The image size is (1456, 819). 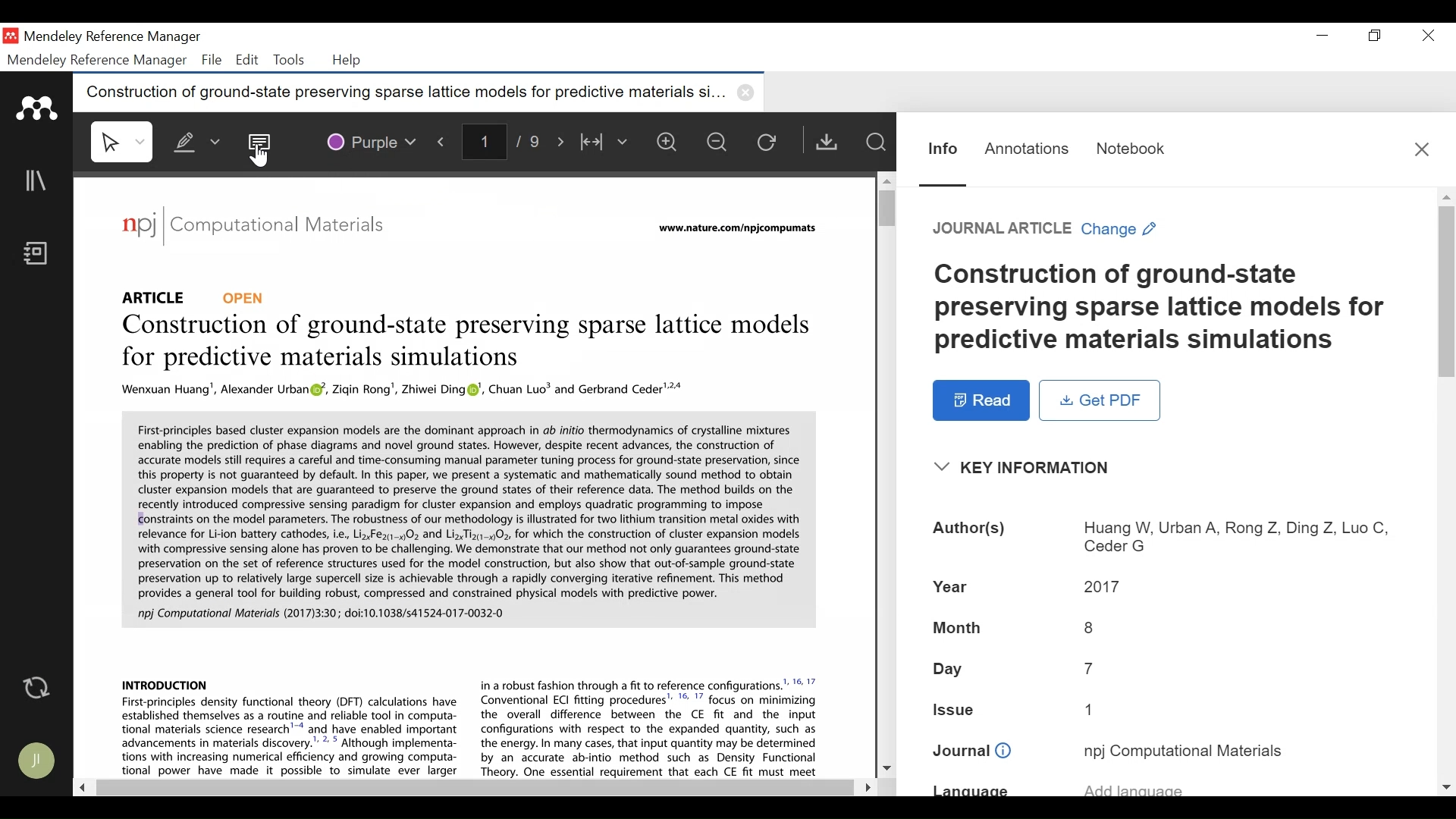 I want to click on Annotations, so click(x=1027, y=147).